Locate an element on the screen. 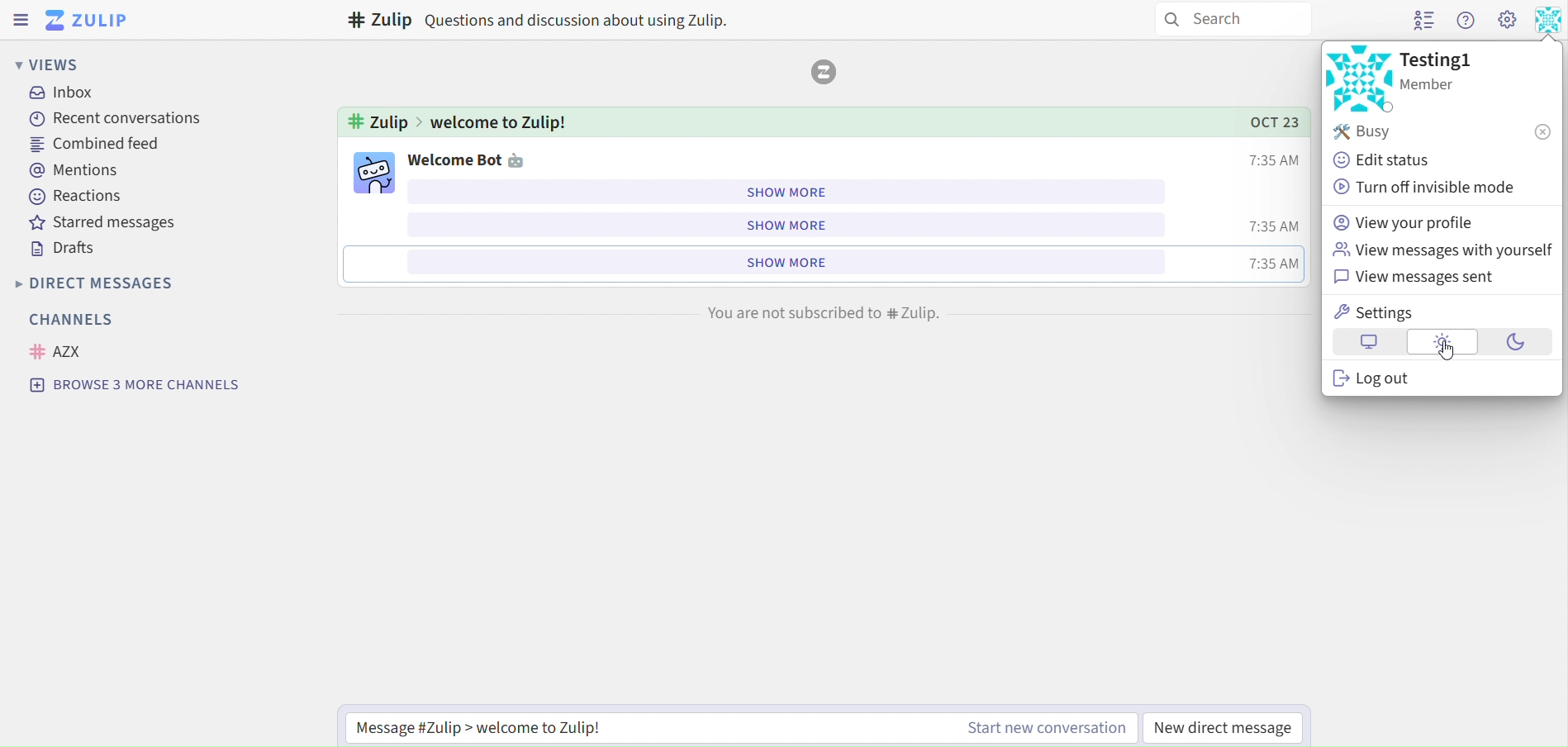 The width and height of the screenshot is (1568, 747). busy is located at coordinates (1445, 133).